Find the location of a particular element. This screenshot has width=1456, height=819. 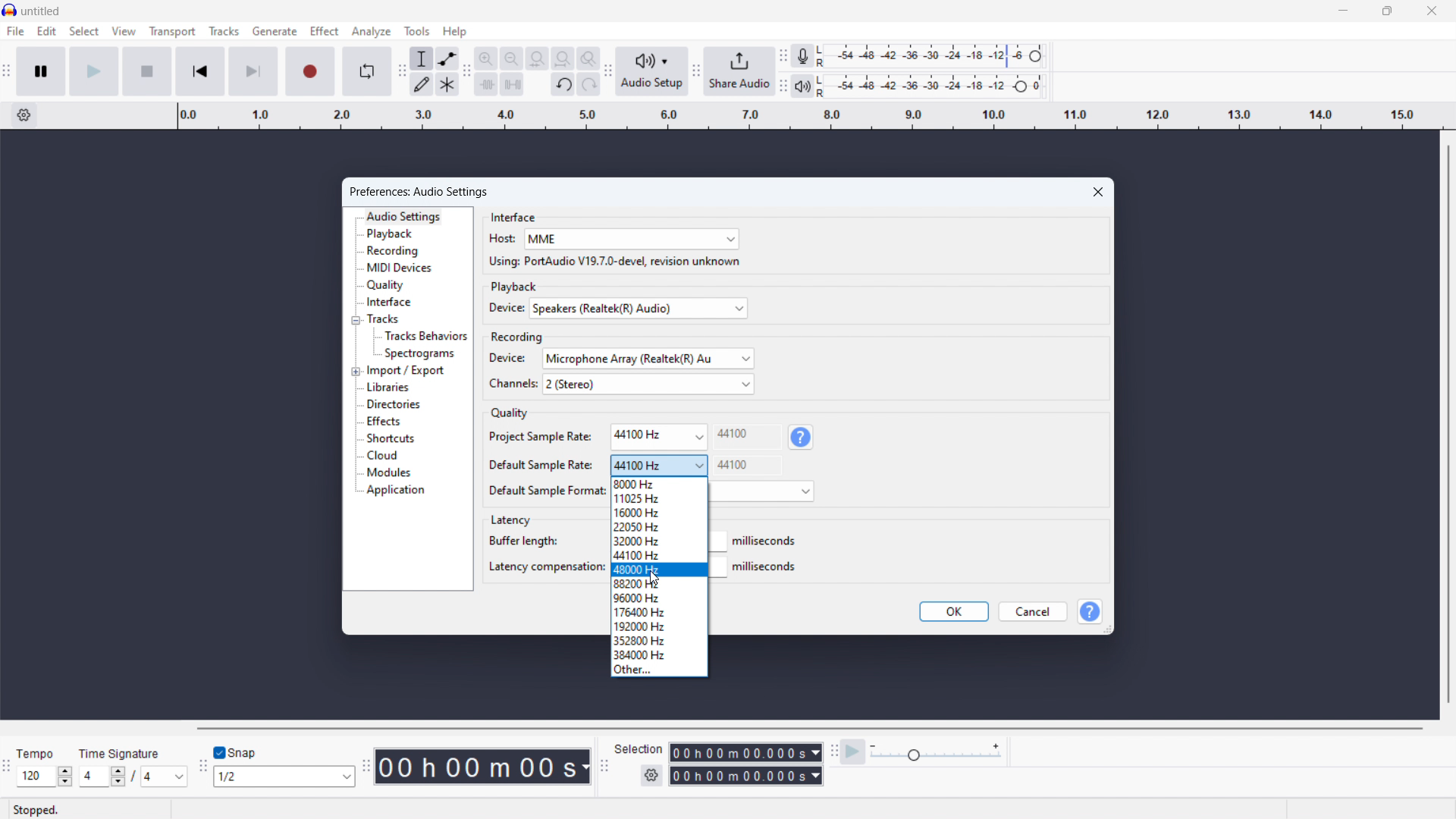

expand is located at coordinates (355, 371).